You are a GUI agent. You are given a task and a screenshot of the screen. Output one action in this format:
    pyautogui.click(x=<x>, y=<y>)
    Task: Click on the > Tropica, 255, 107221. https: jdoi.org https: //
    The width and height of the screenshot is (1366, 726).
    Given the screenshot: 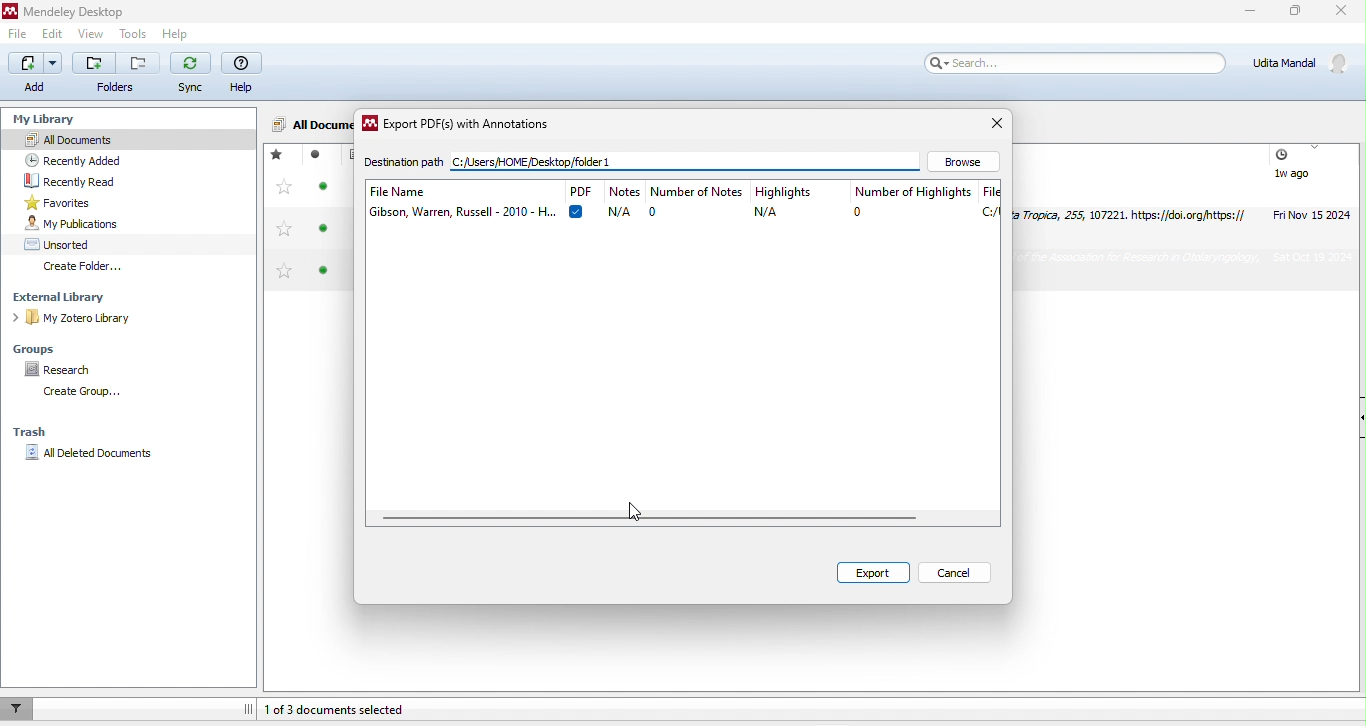 What is the action you would take?
    pyautogui.click(x=1135, y=213)
    